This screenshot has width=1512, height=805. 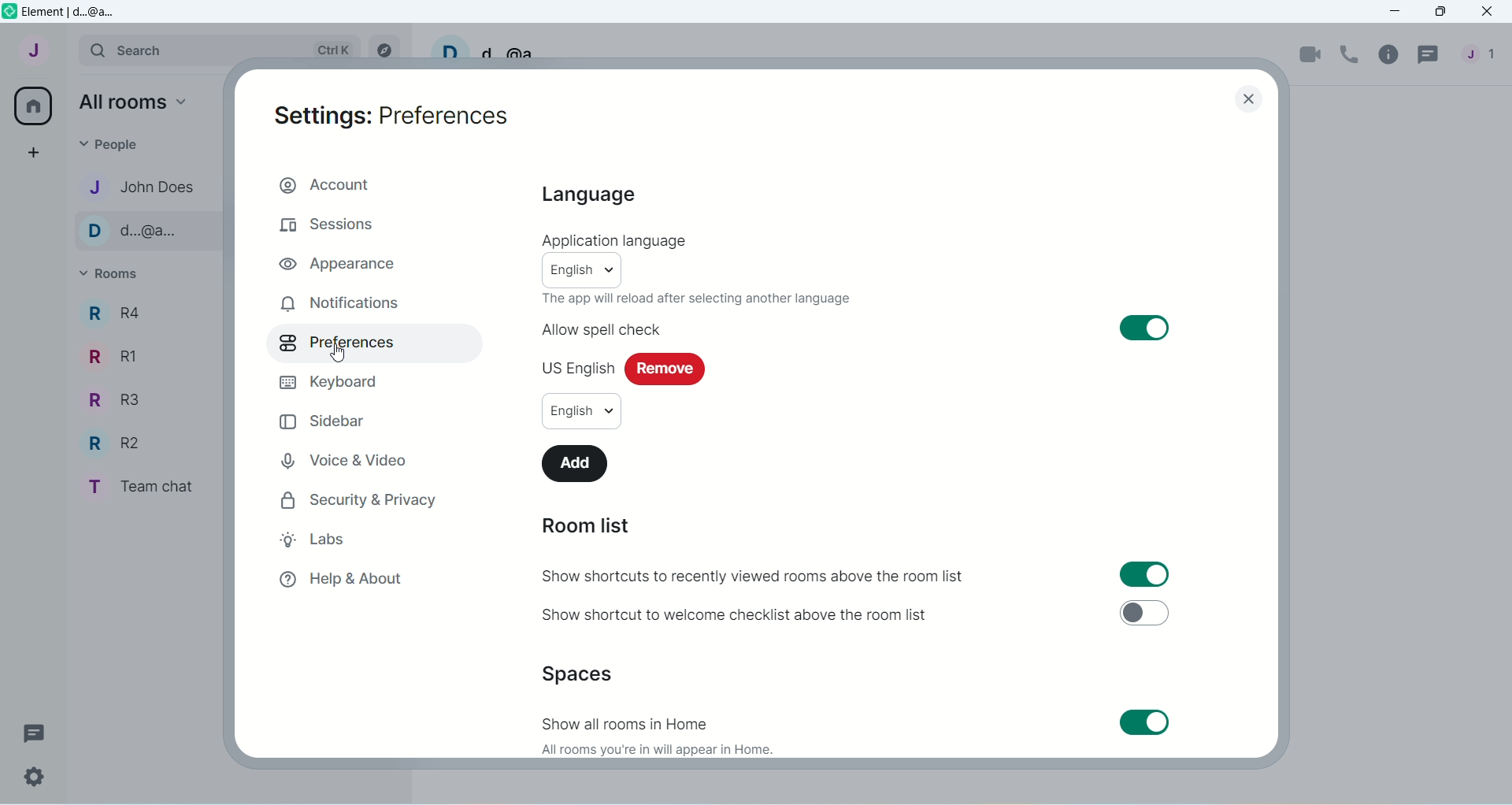 What do you see at coordinates (672, 367) in the screenshot?
I see `Remove` at bounding box center [672, 367].